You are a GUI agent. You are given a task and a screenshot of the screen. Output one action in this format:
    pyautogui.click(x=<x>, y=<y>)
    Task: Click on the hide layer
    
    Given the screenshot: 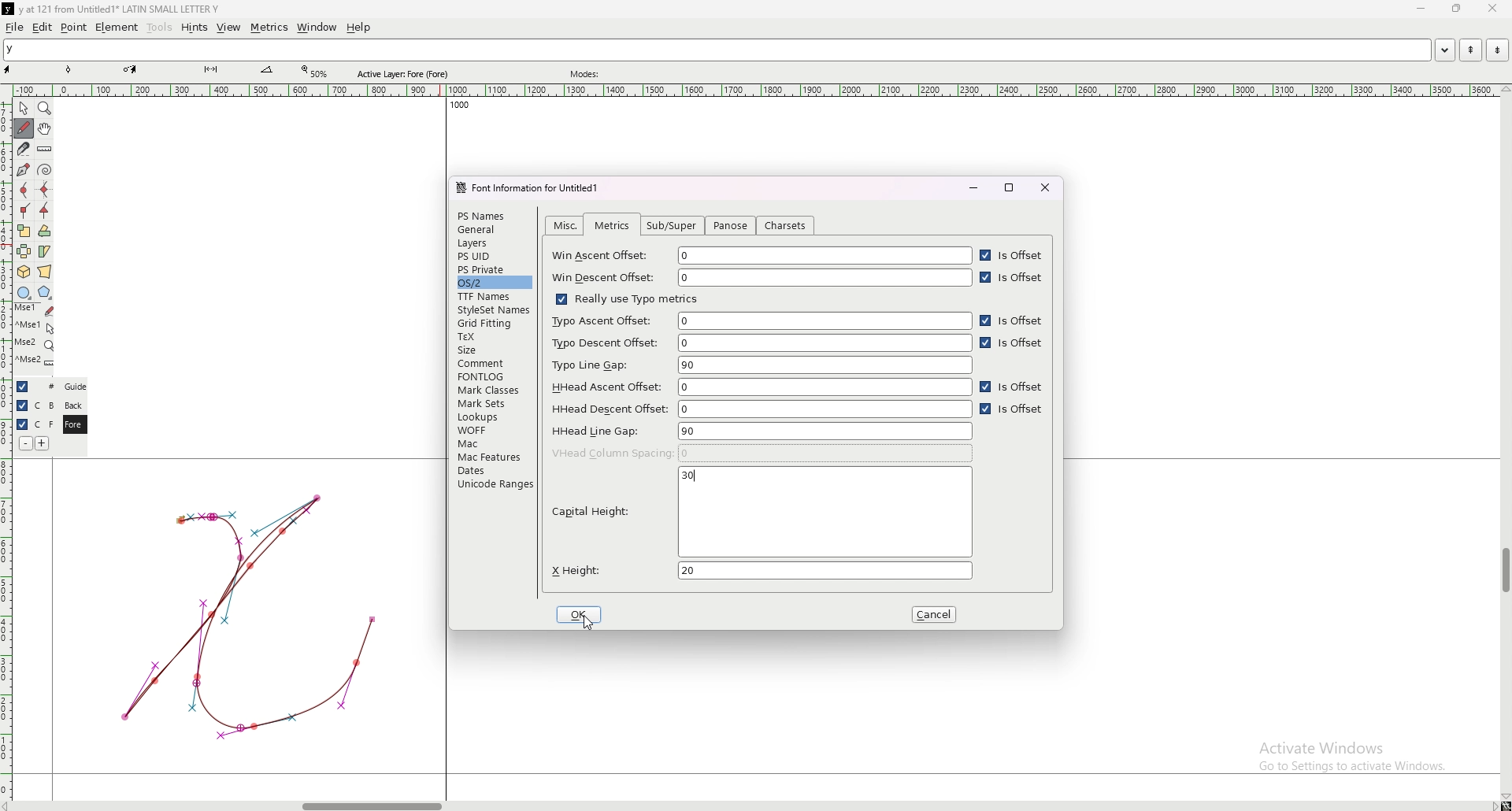 What is the action you would take?
    pyautogui.click(x=22, y=424)
    